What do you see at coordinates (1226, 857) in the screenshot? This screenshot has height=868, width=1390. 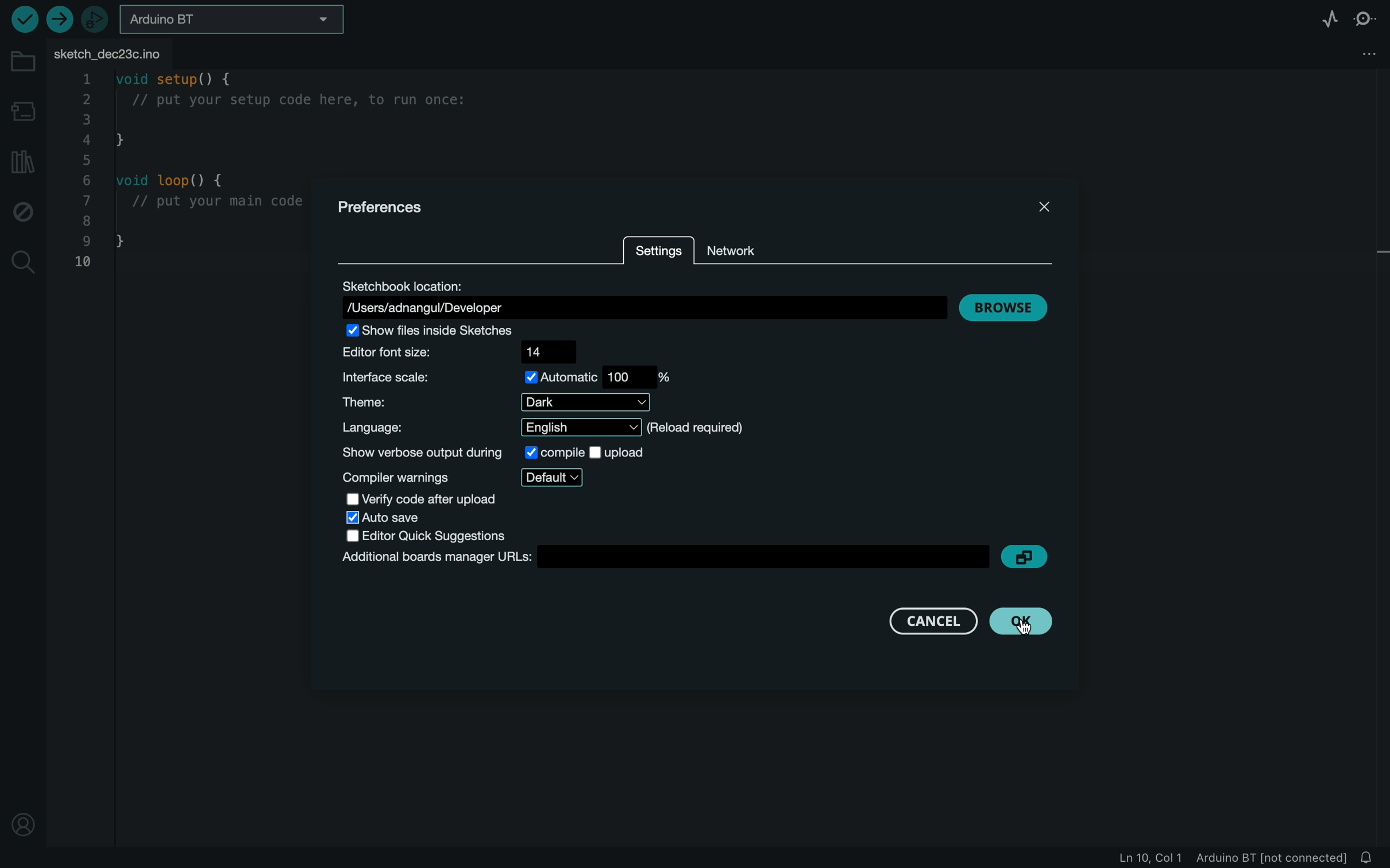 I see `file information` at bounding box center [1226, 857].